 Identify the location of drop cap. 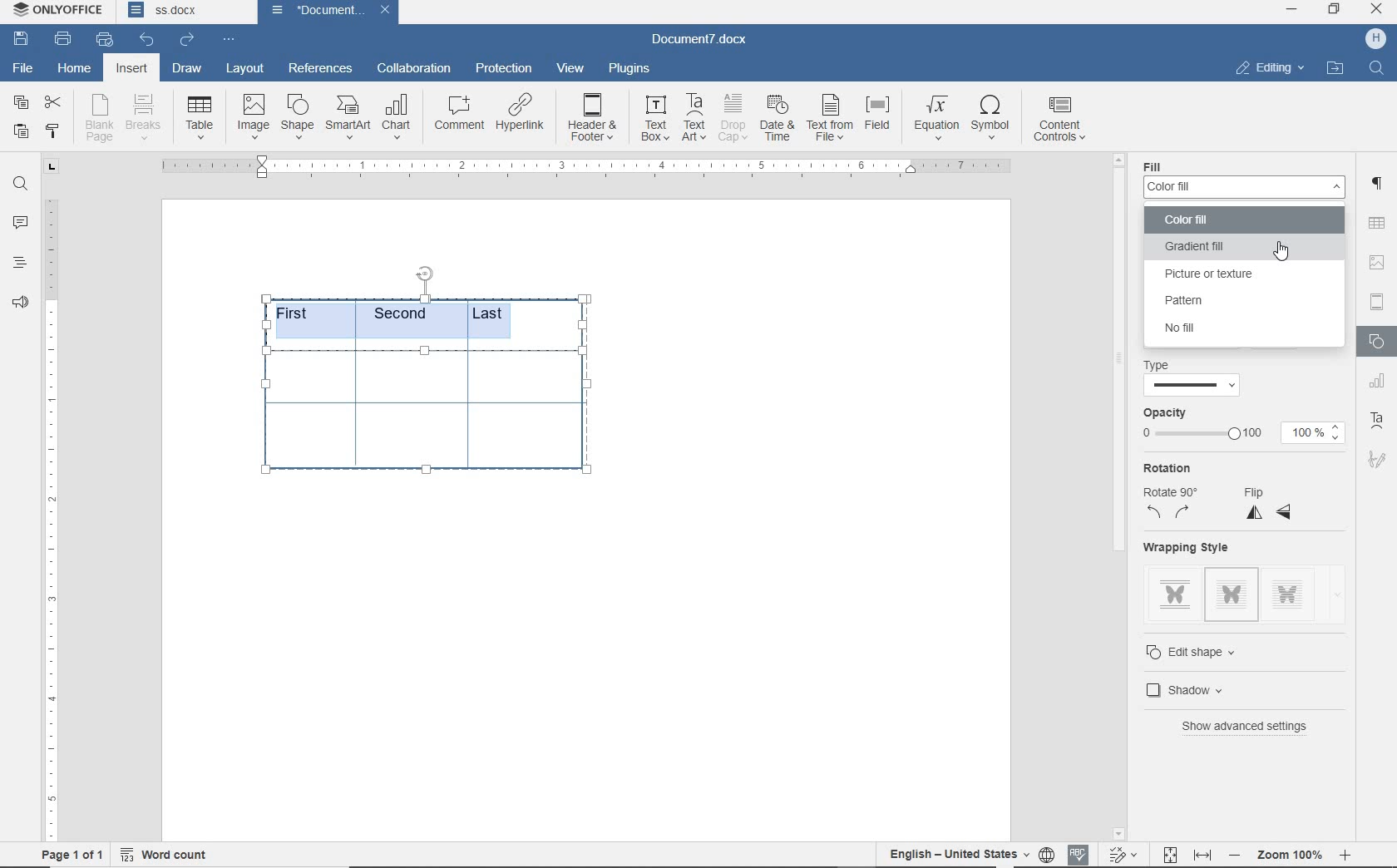
(733, 118).